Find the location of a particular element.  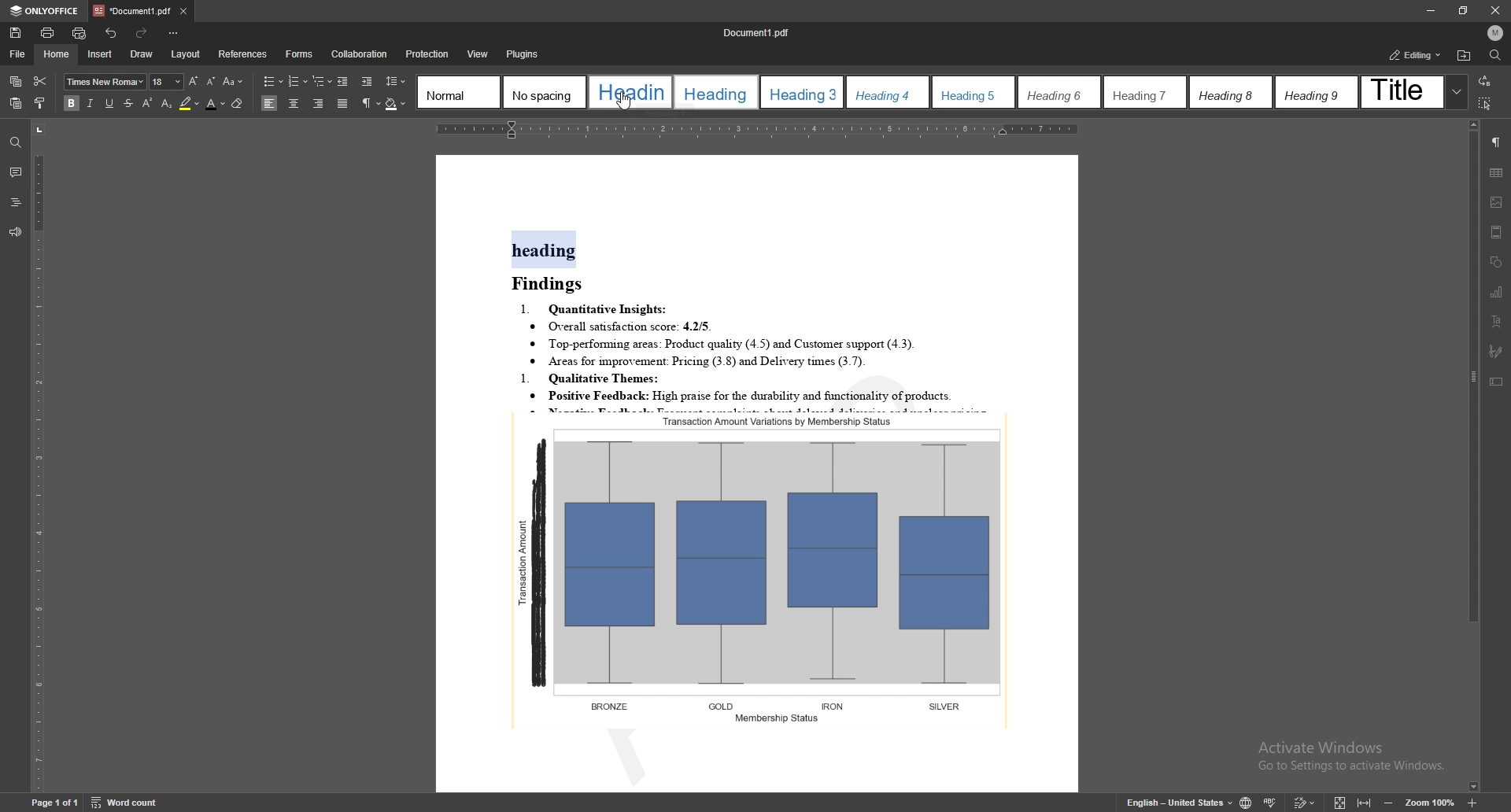

spell check is located at coordinates (1269, 803).